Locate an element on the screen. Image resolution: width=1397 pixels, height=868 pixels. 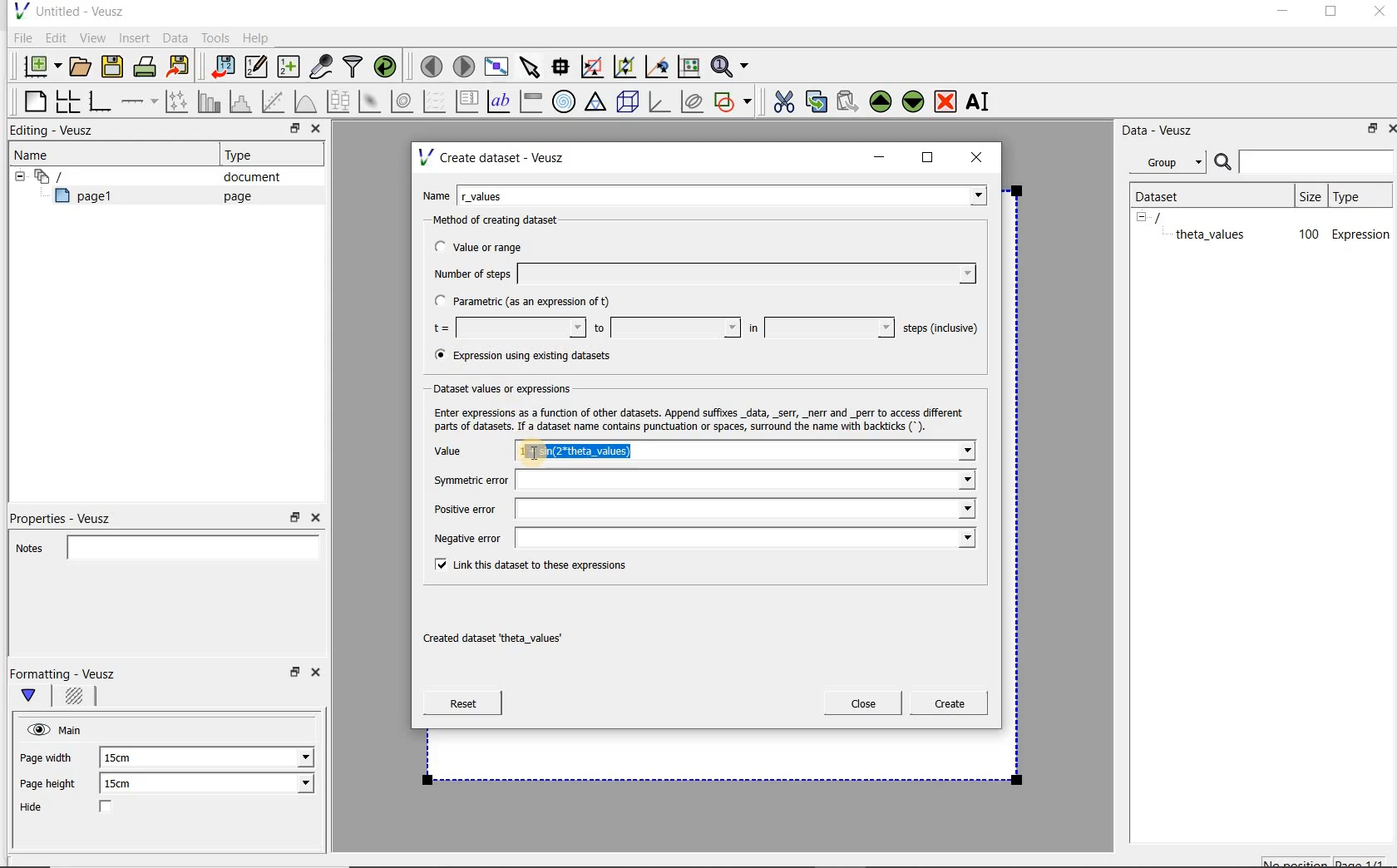
Fit a function to data is located at coordinates (275, 101).